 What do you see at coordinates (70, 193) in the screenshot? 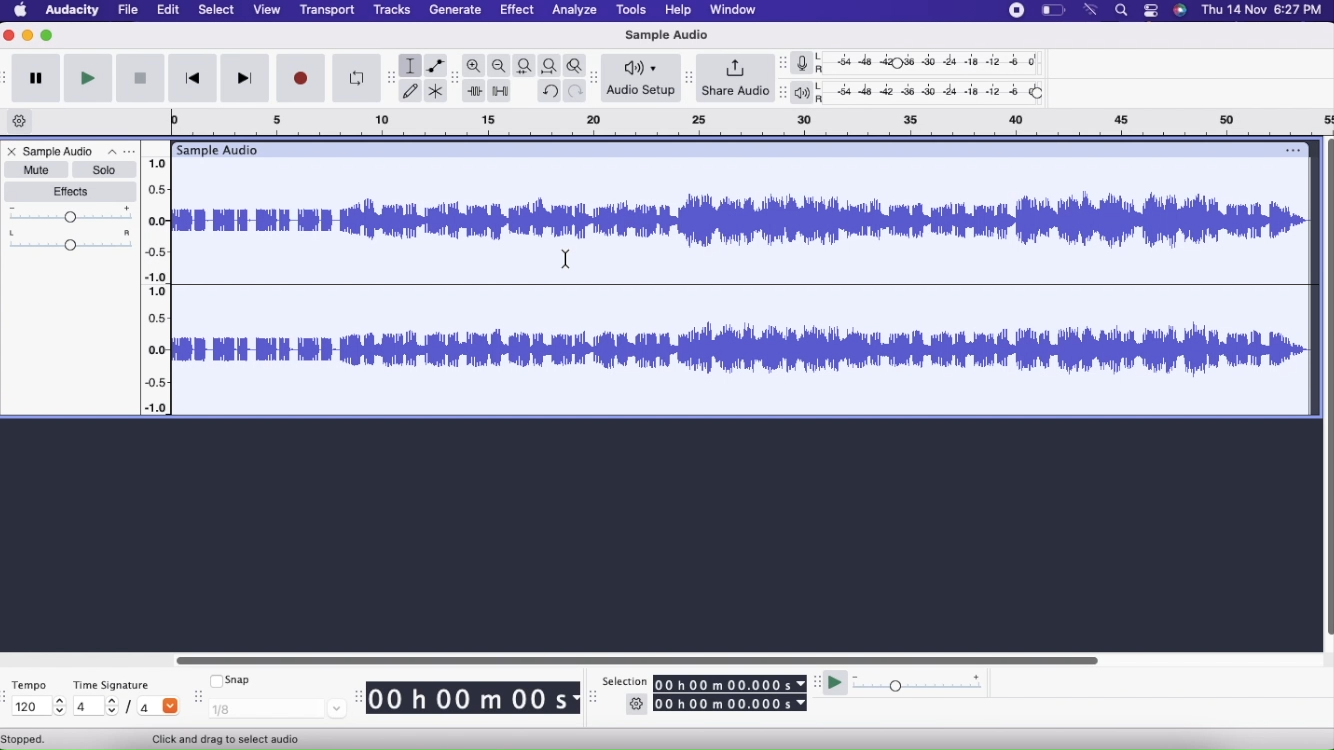
I see `Effects` at bounding box center [70, 193].